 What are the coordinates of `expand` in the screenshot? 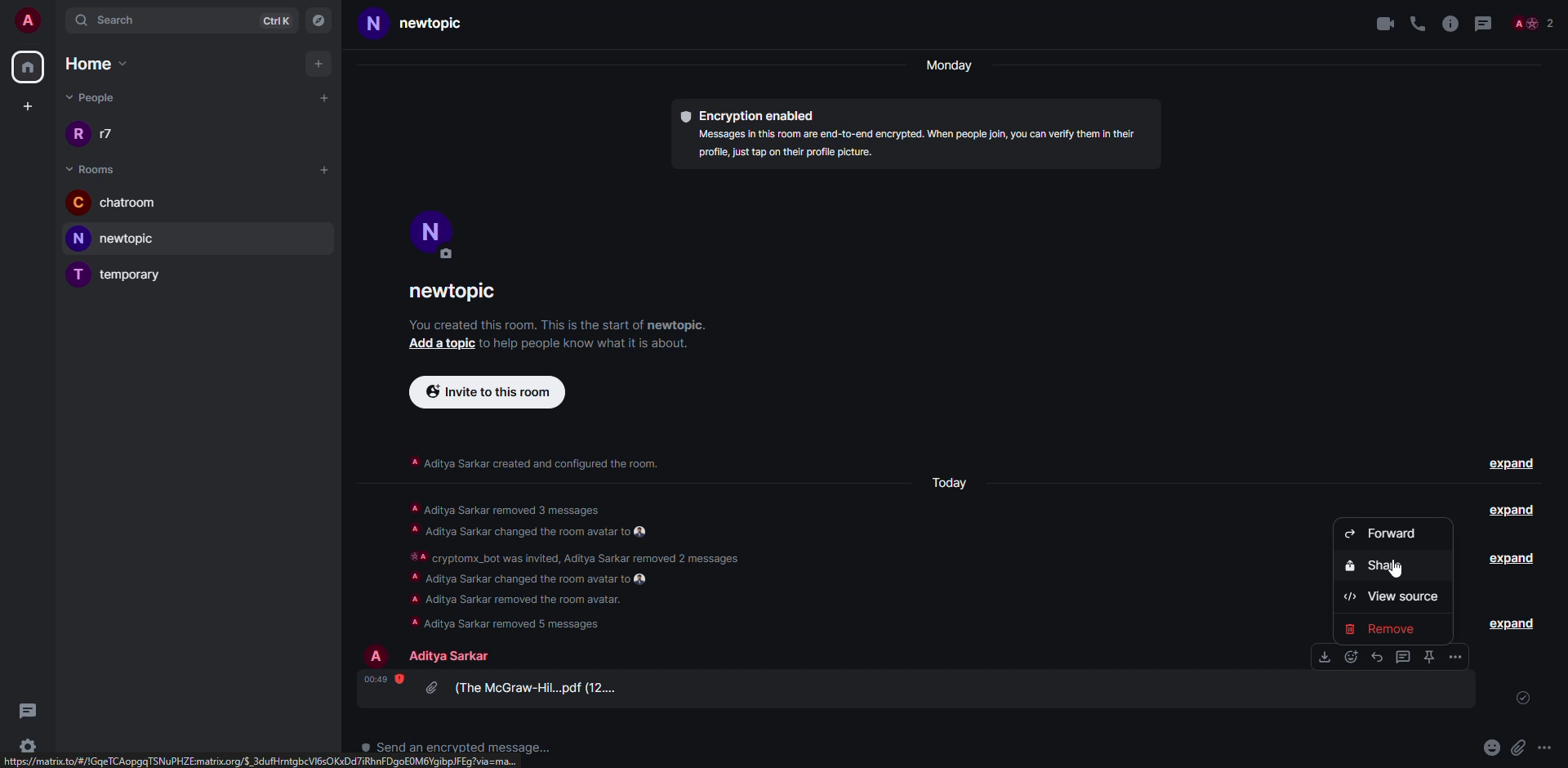 It's located at (1516, 465).